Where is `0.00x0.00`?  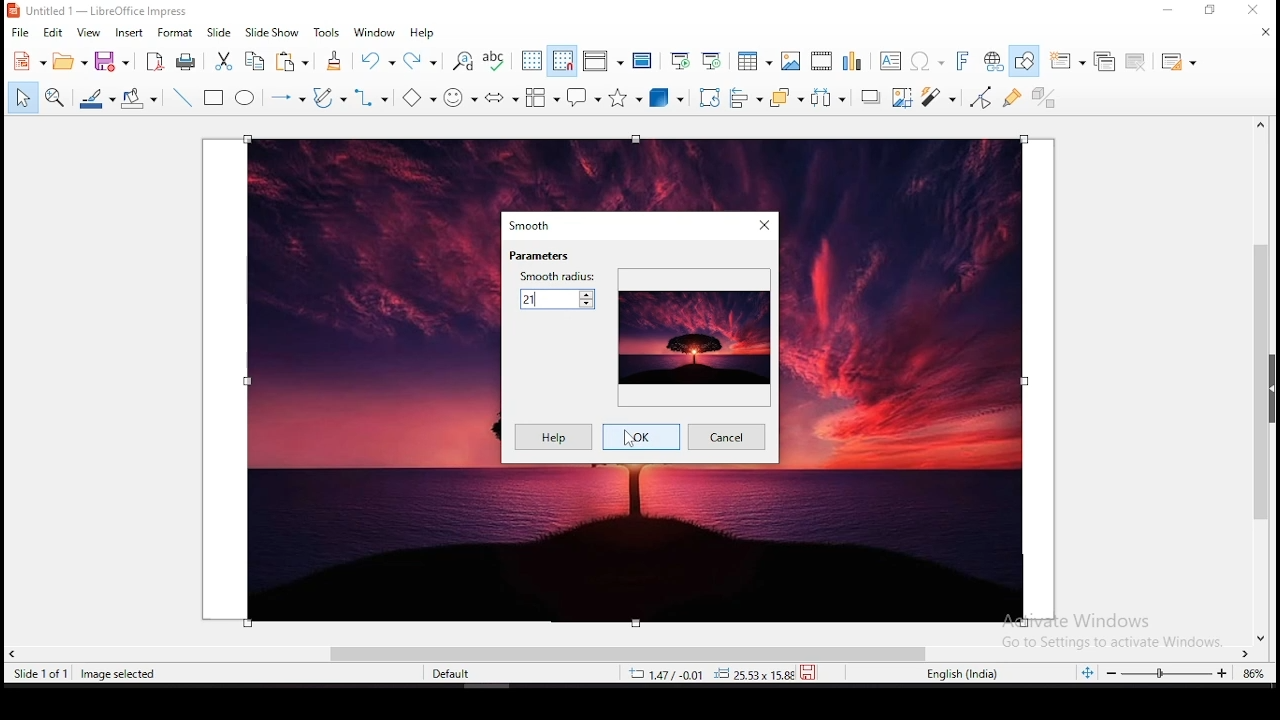 0.00x0.00 is located at coordinates (749, 674).